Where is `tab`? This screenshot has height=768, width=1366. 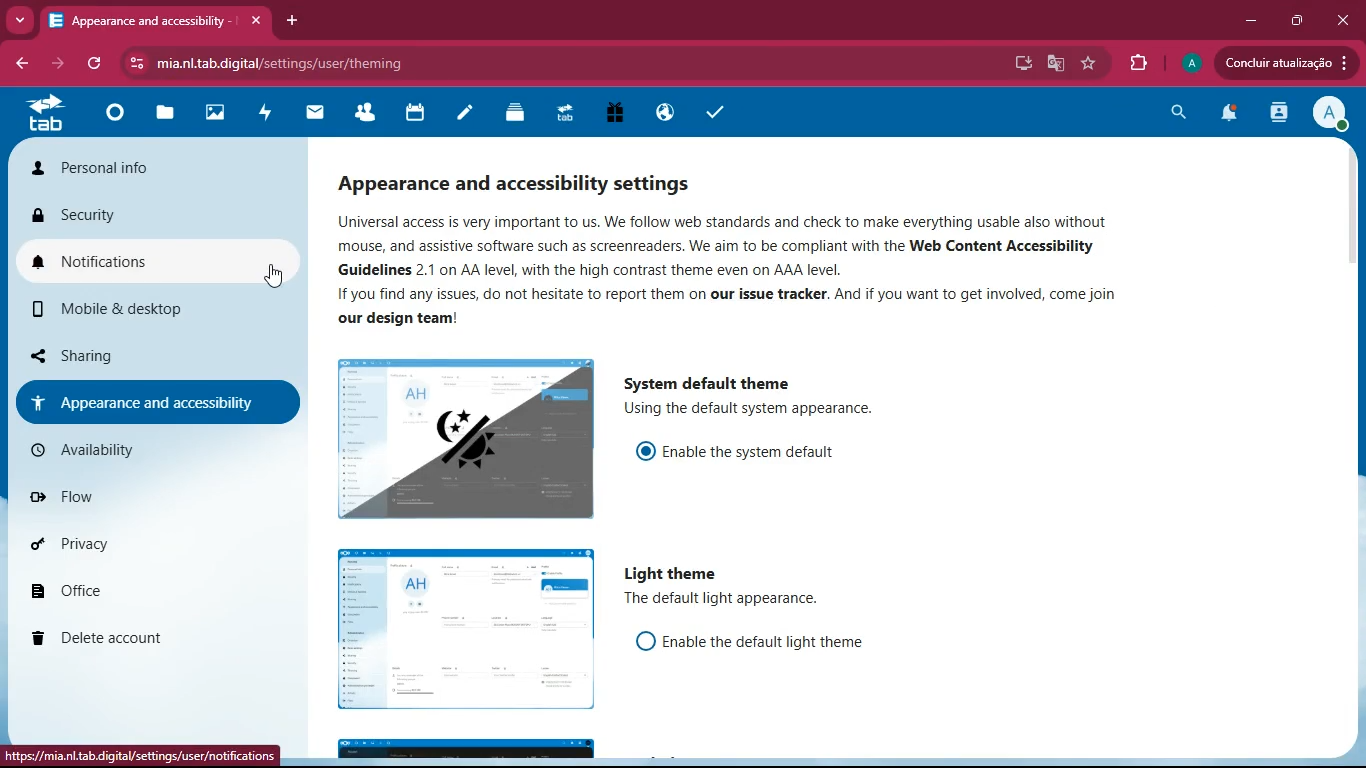
tab is located at coordinates (569, 116).